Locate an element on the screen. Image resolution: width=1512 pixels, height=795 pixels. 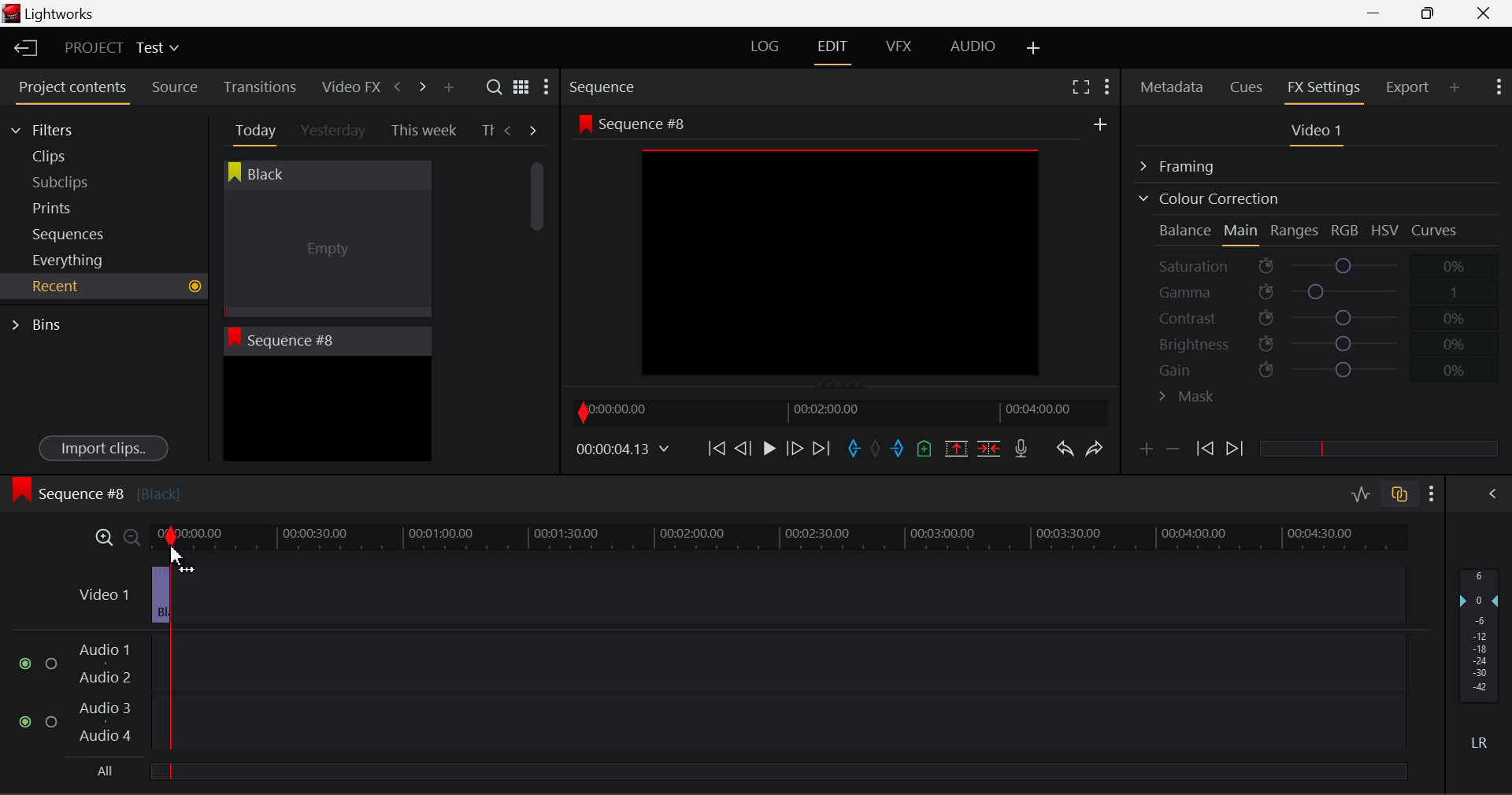
Filters is located at coordinates (57, 128).